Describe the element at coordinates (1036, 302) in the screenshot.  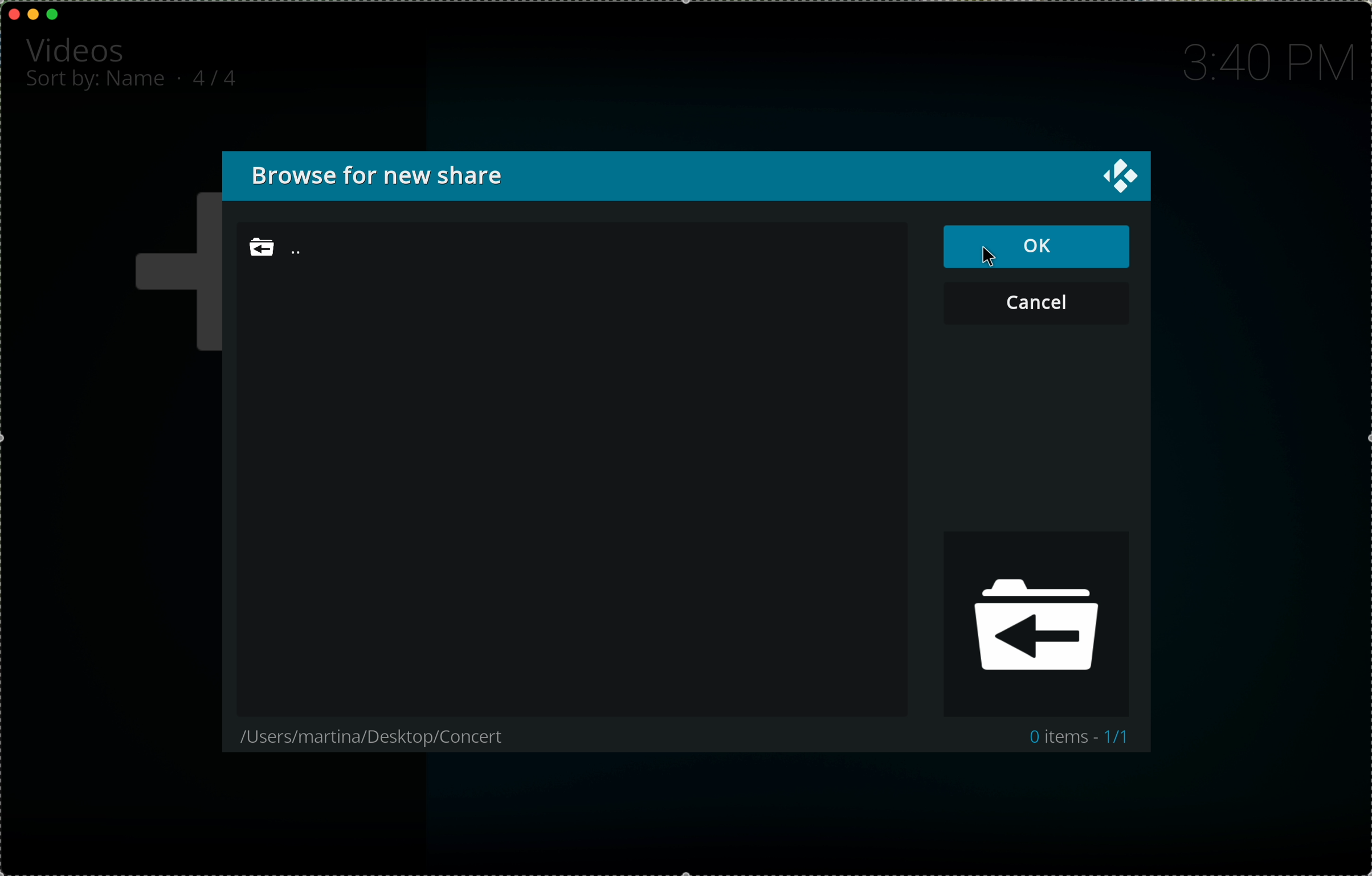
I see `cancel` at that location.